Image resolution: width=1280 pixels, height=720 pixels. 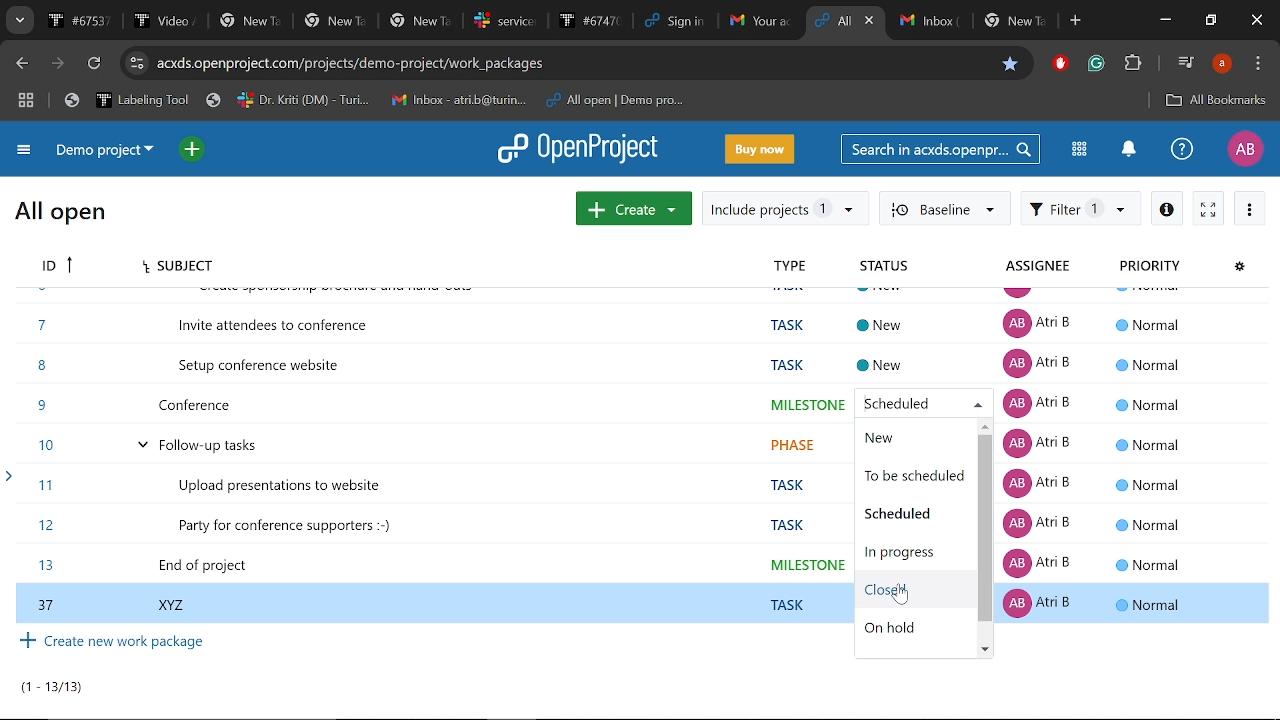 What do you see at coordinates (1244, 149) in the screenshot?
I see `Profile` at bounding box center [1244, 149].